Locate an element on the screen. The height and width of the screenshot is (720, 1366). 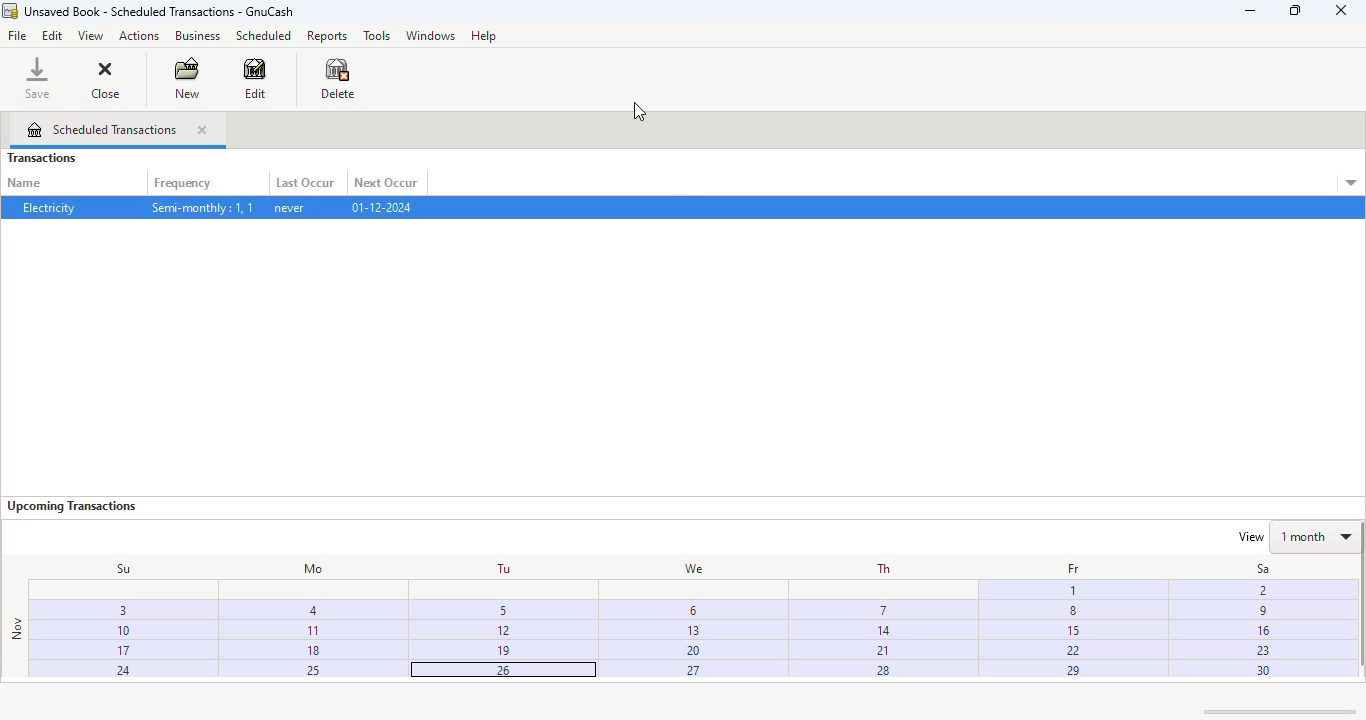
21 is located at coordinates (884, 651).